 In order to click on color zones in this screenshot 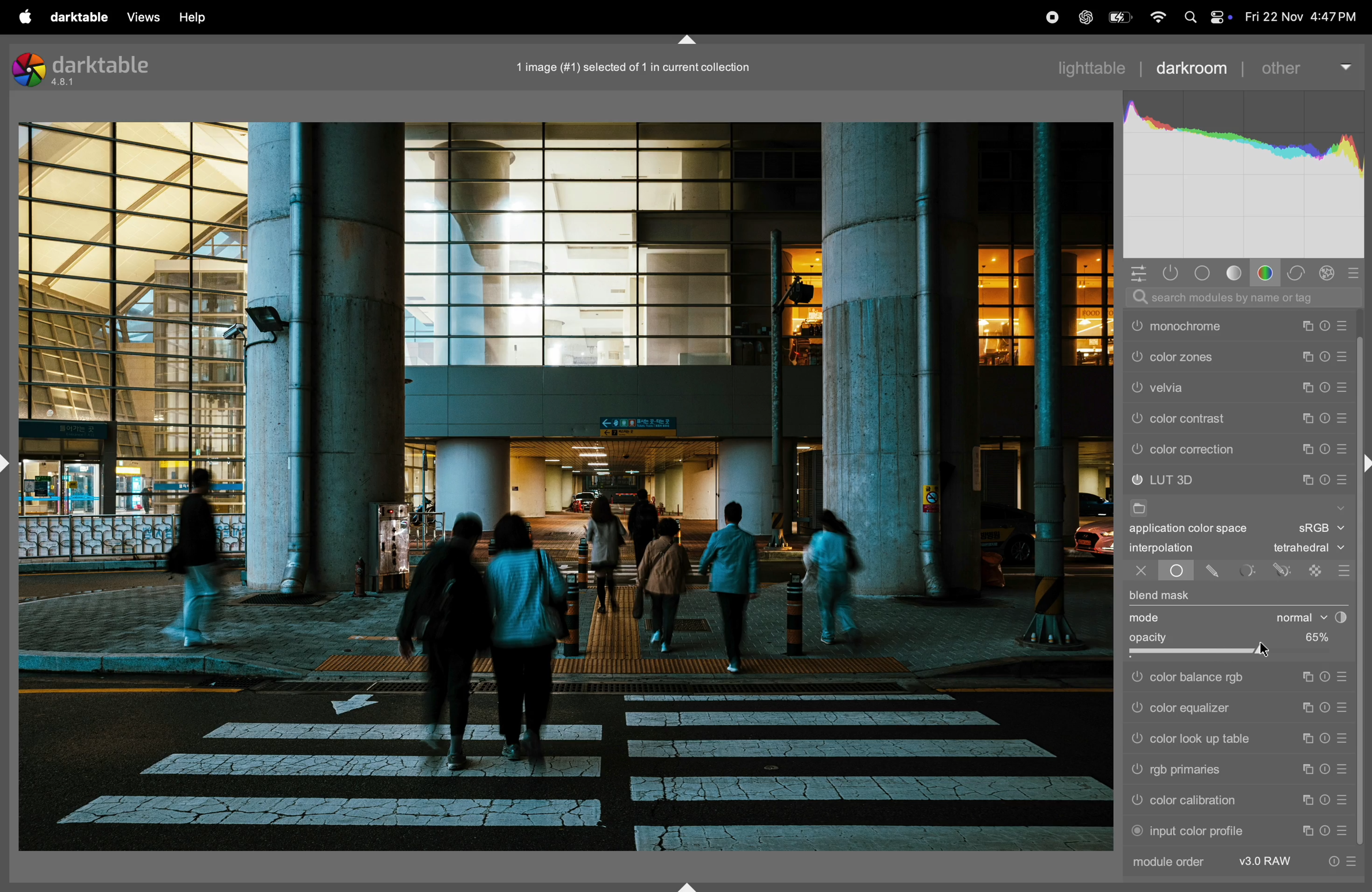, I will do `click(1222, 386)`.